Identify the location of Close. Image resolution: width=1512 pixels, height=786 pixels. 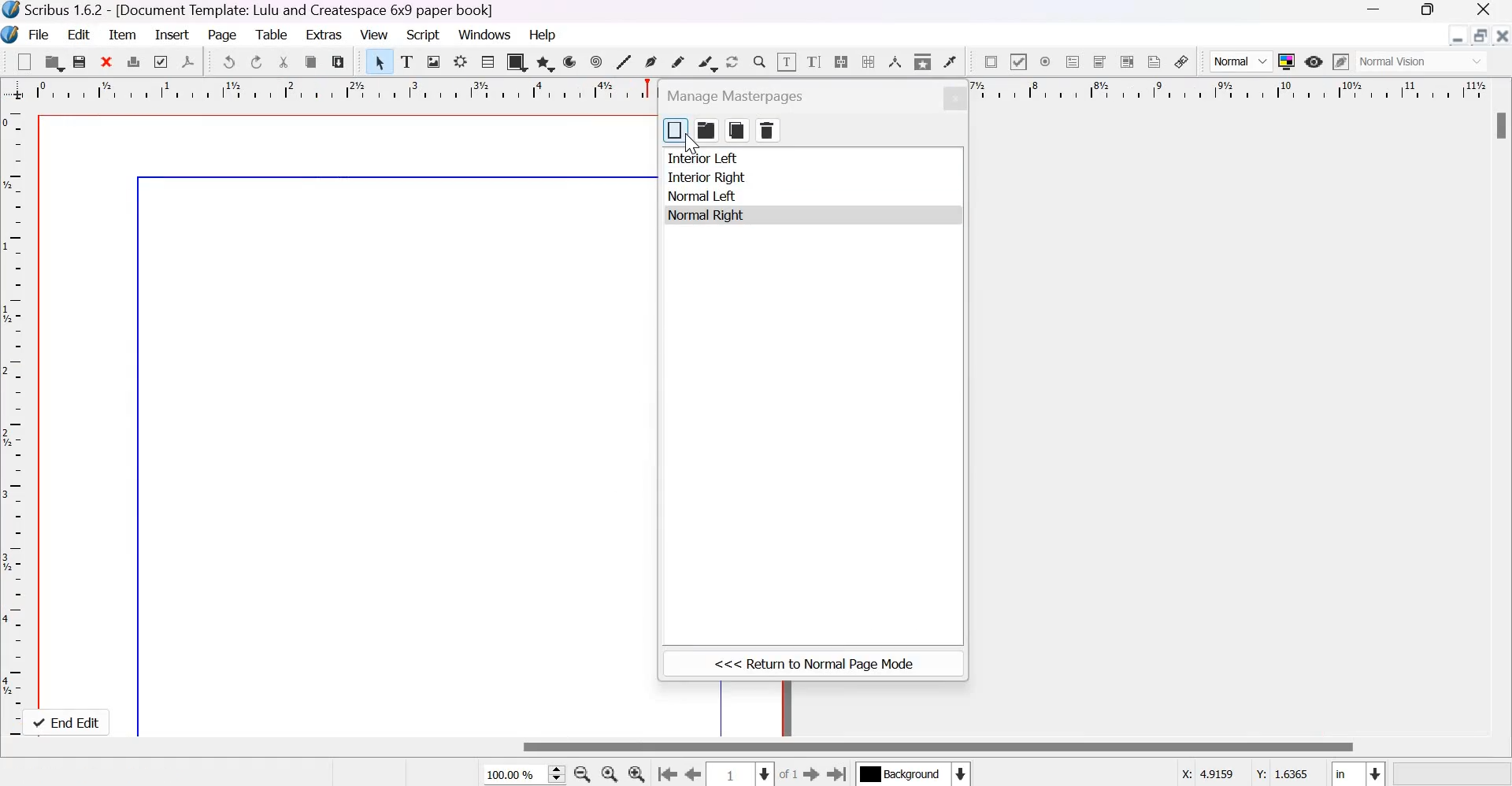
(1503, 35).